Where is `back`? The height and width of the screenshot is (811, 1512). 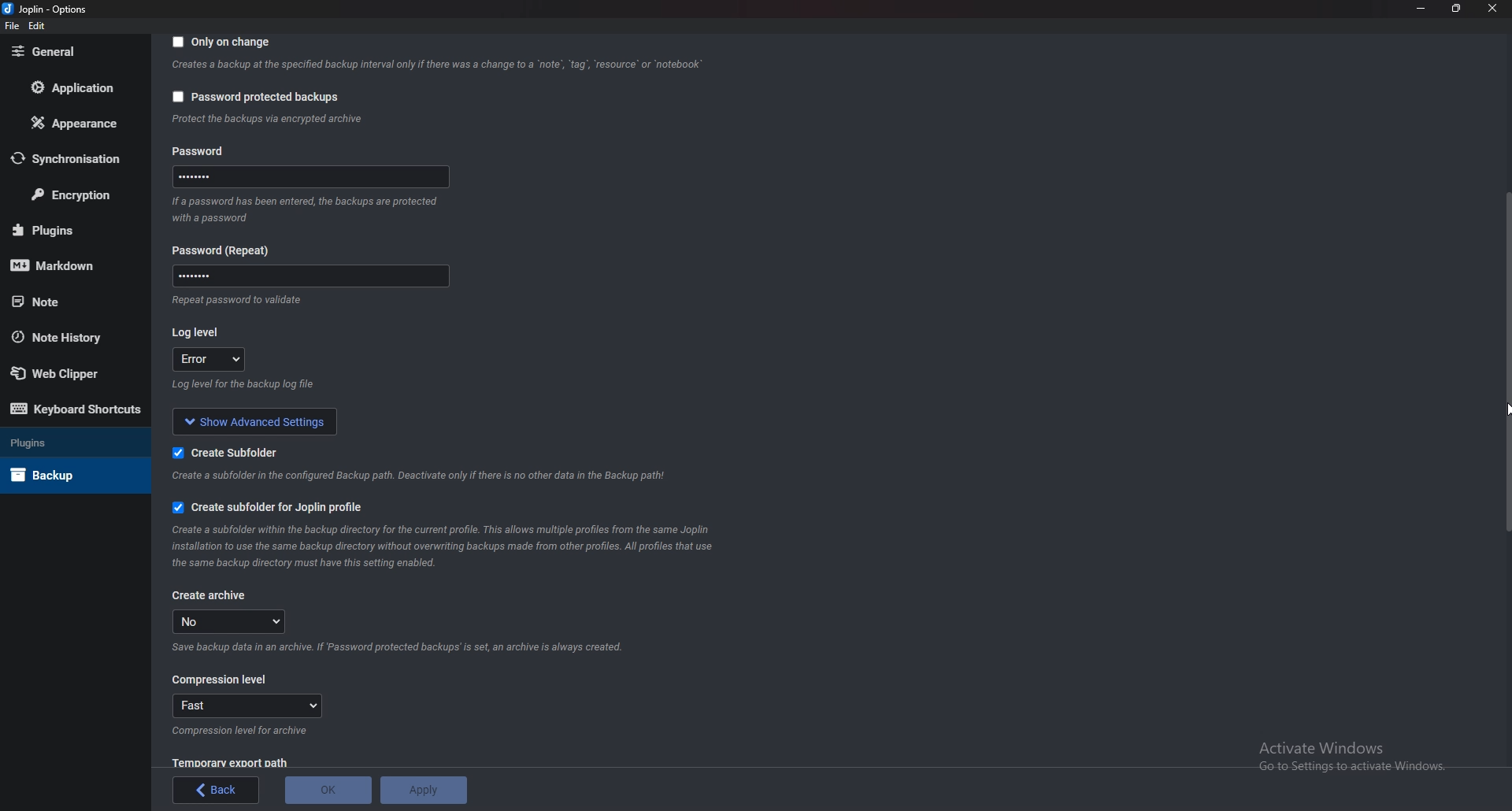
back is located at coordinates (217, 790).